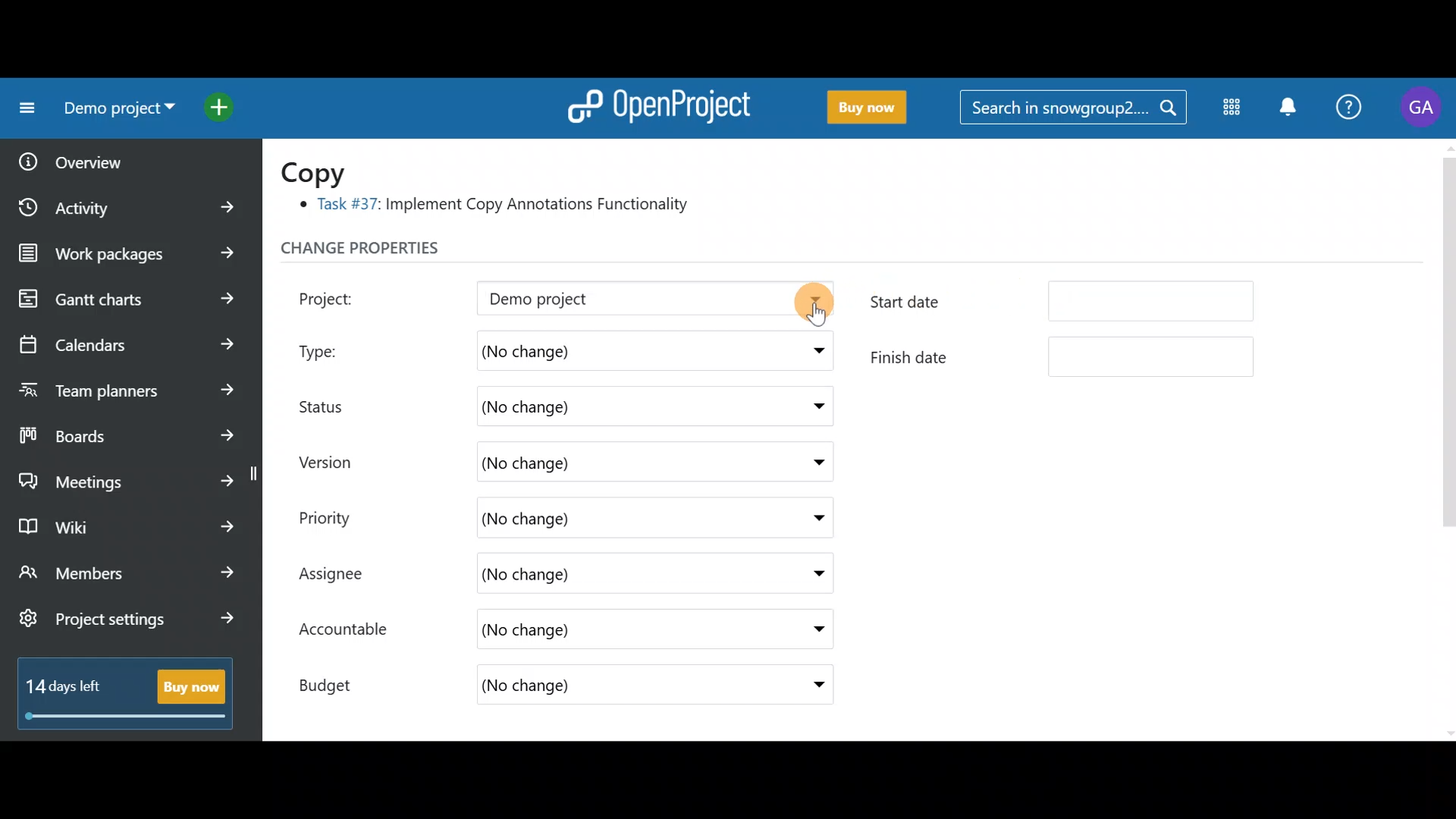 The image size is (1456, 819). What do you see at coordinates (610, 300) in the screenshot?
I see `Demo project` at bounding box center [610, 300].